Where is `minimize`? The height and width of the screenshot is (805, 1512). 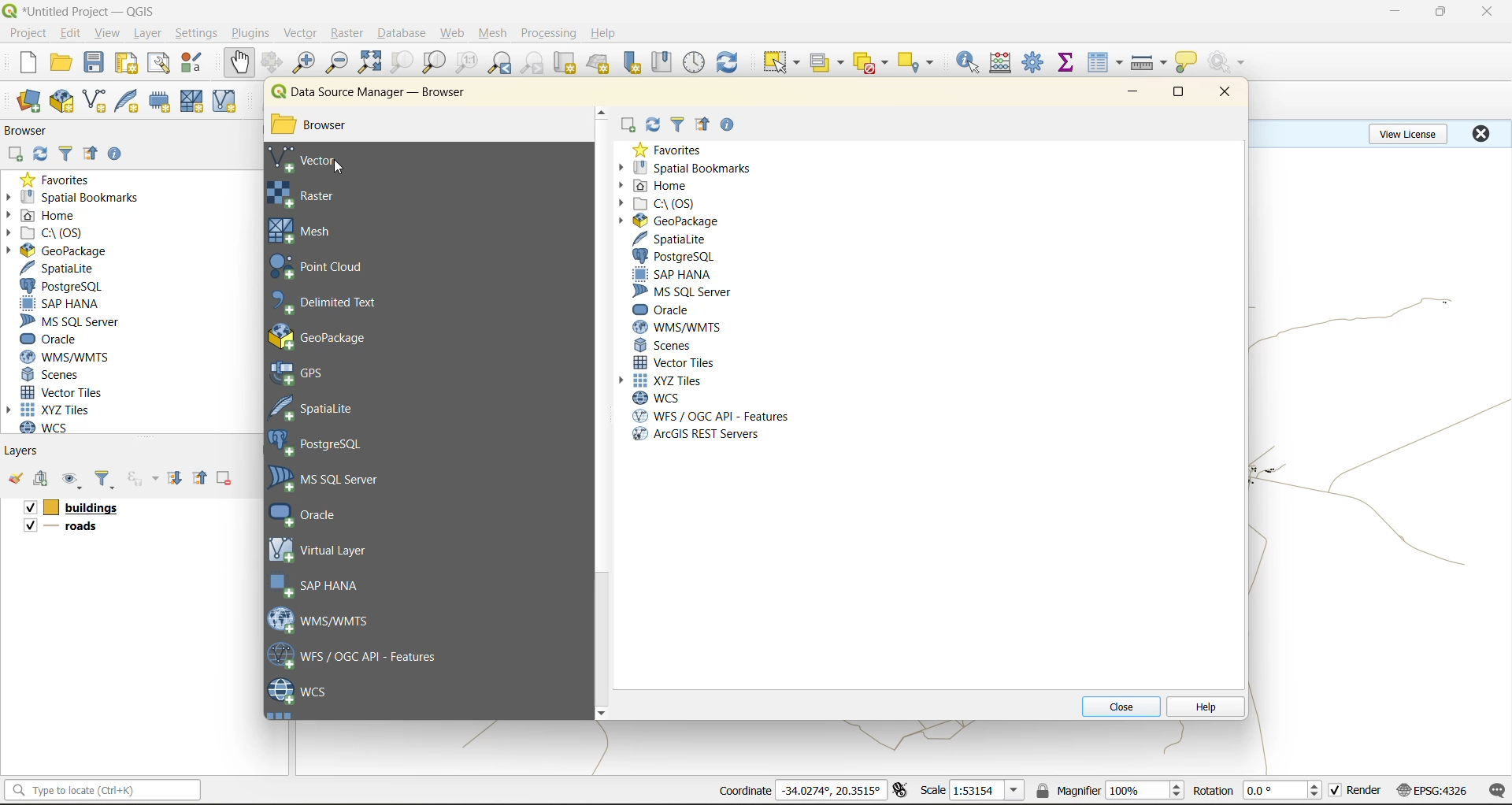 minimize is located at coordinates (1395, 11).